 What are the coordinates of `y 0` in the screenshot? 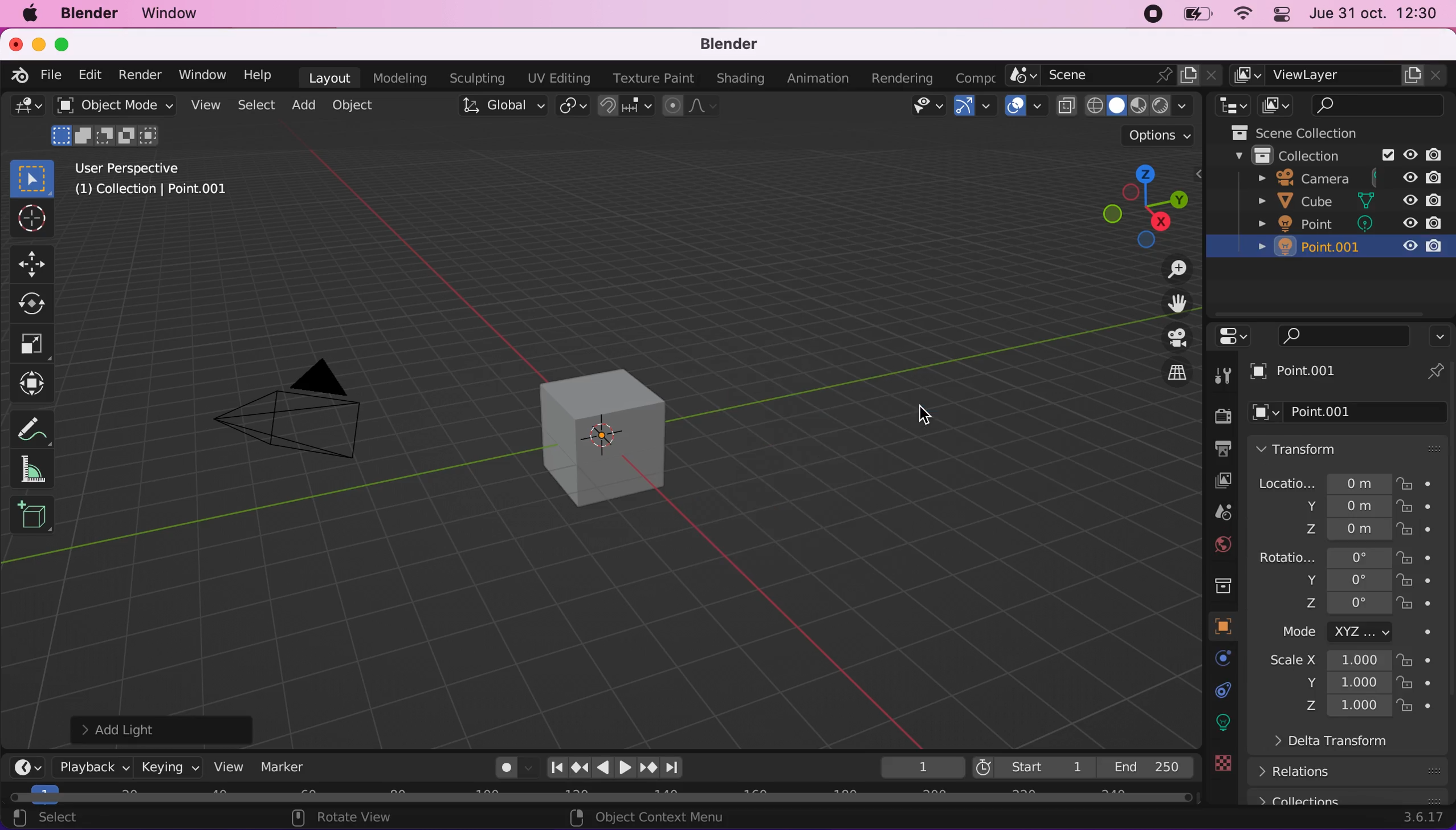 It's located at (1342, 581).